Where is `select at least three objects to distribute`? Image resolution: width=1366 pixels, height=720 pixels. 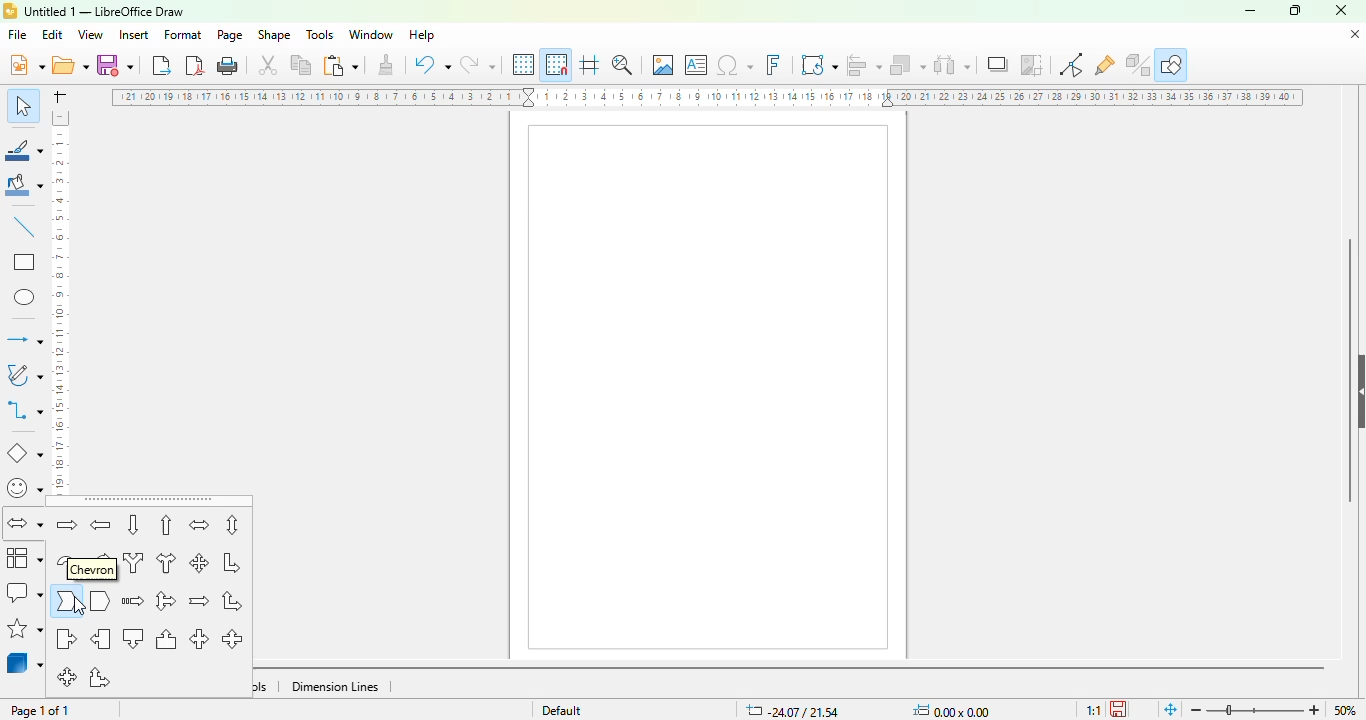
select at least three objects to distribute is located at coordinates (952, 64).